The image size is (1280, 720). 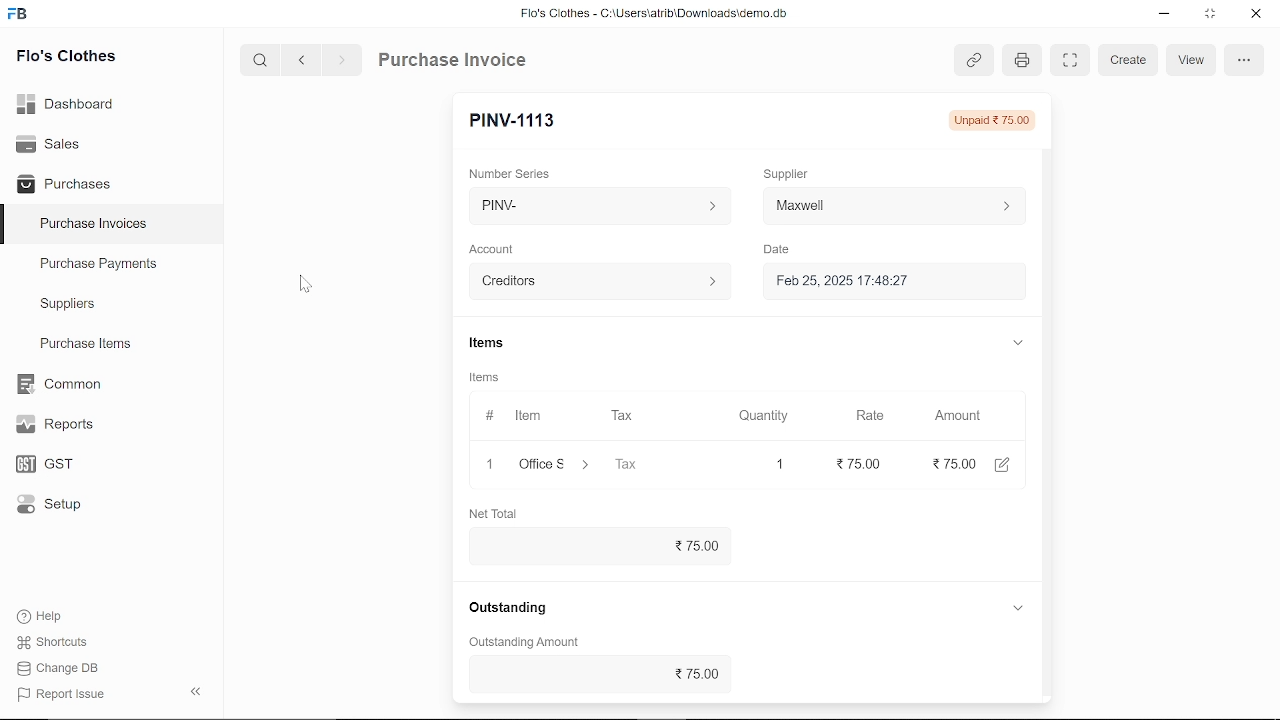 What do you see at coordinates (305, 287) in the screenshot?
I see `cursor` at bounding box center [305, 287].